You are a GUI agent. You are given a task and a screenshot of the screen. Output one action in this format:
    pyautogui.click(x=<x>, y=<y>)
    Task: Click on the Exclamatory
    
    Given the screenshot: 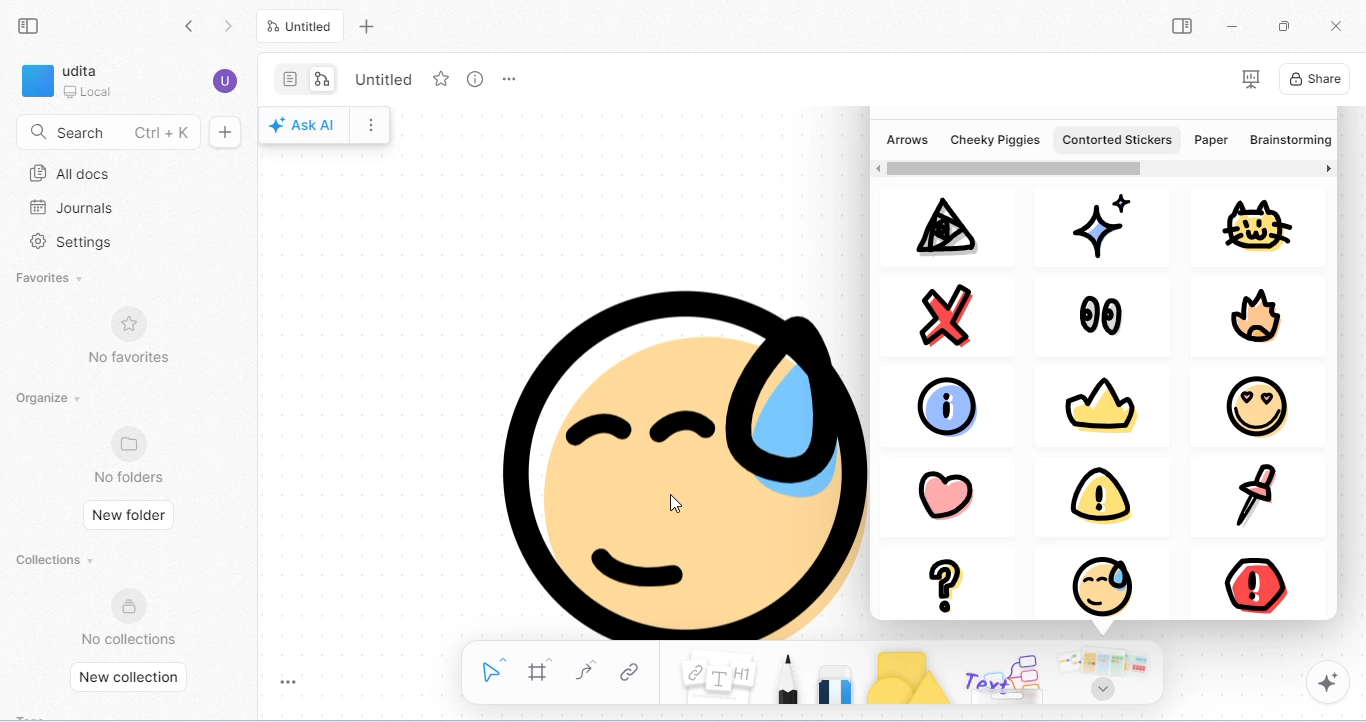 What is the action you would take?
    pyautogui.click(x=1089, y=494)
    